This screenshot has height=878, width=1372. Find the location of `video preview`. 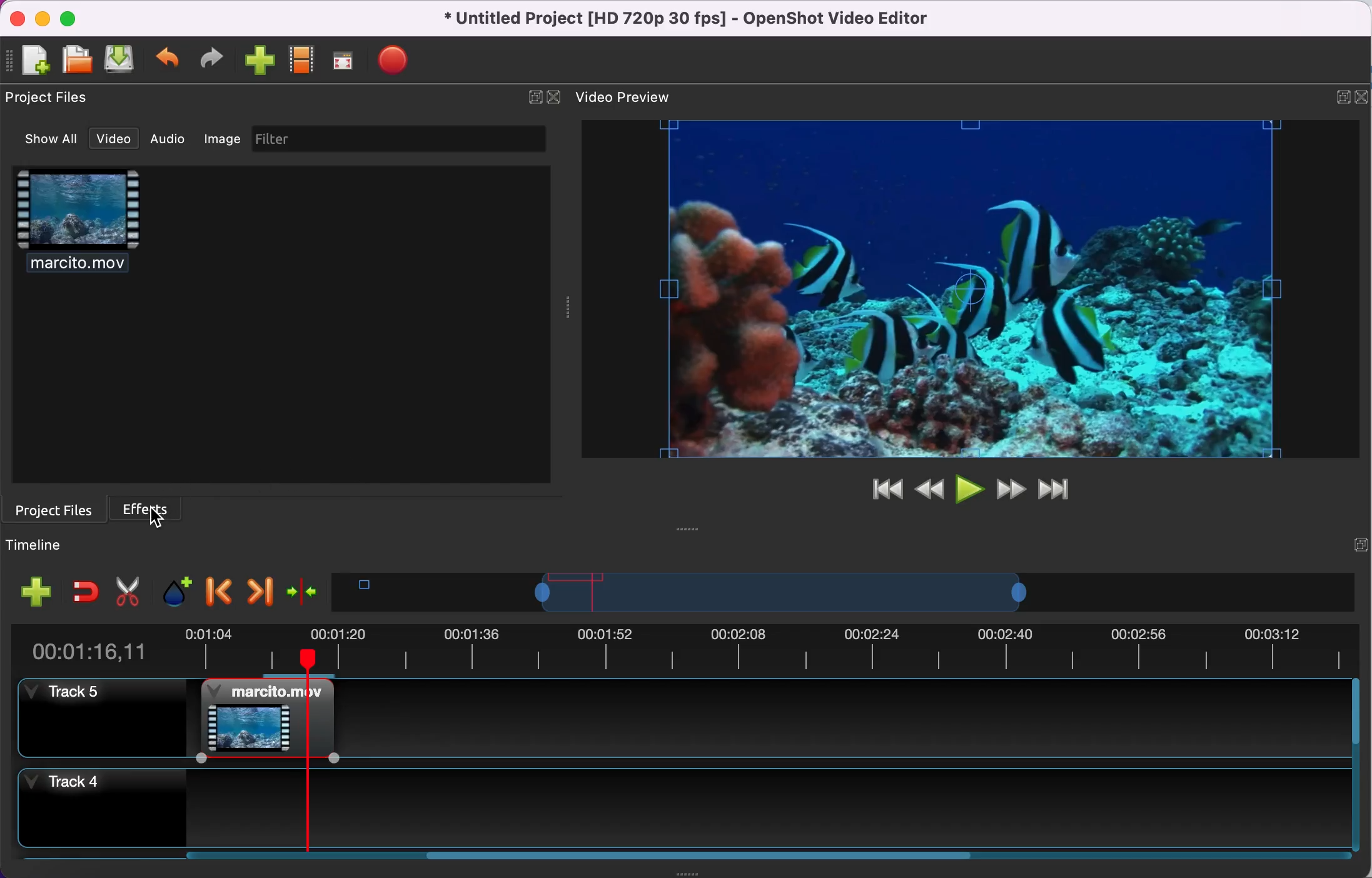

video preview is located at coordinates (628, 96).